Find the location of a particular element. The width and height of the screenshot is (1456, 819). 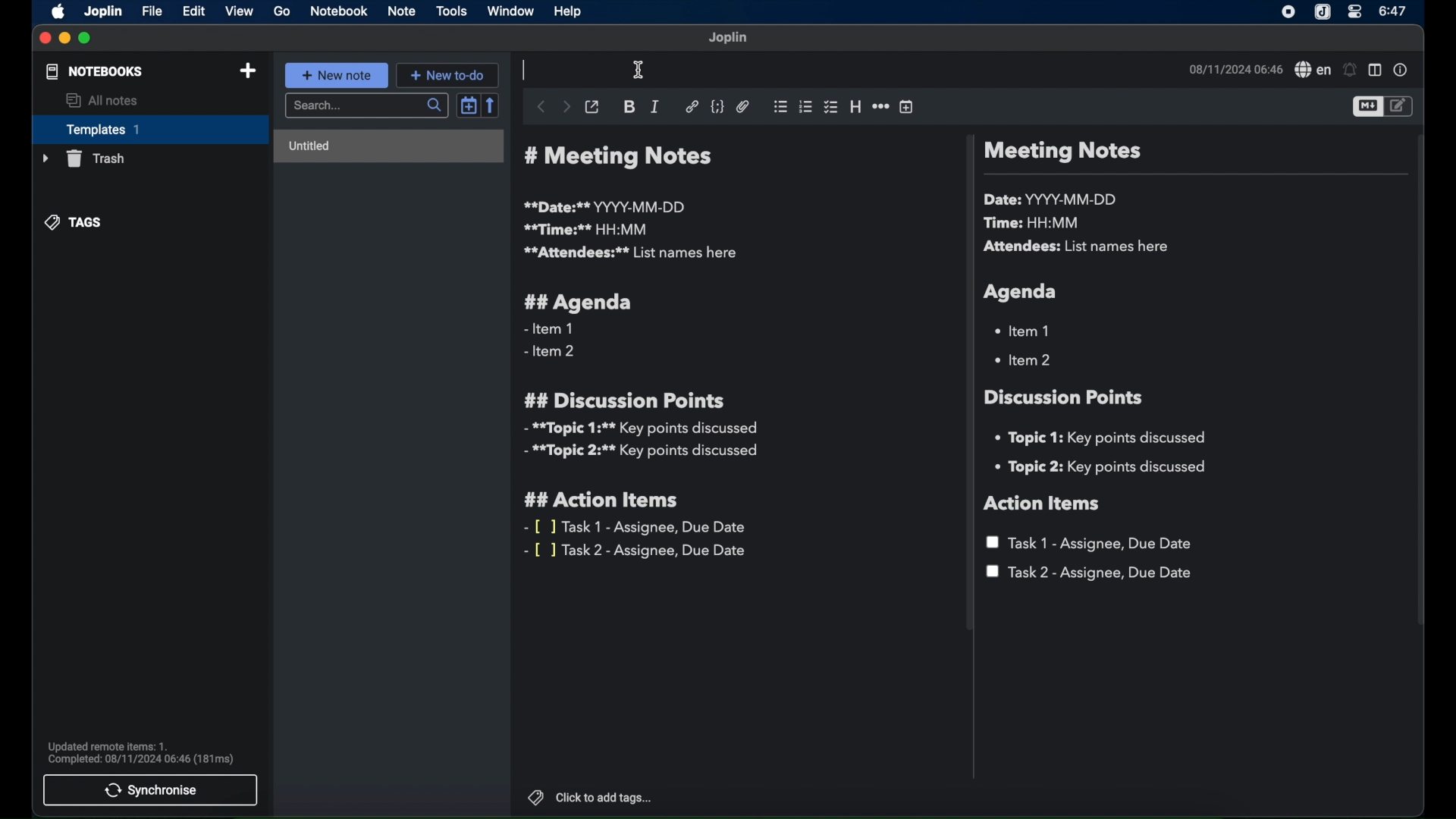

tools is located at coordinates (451, 11).